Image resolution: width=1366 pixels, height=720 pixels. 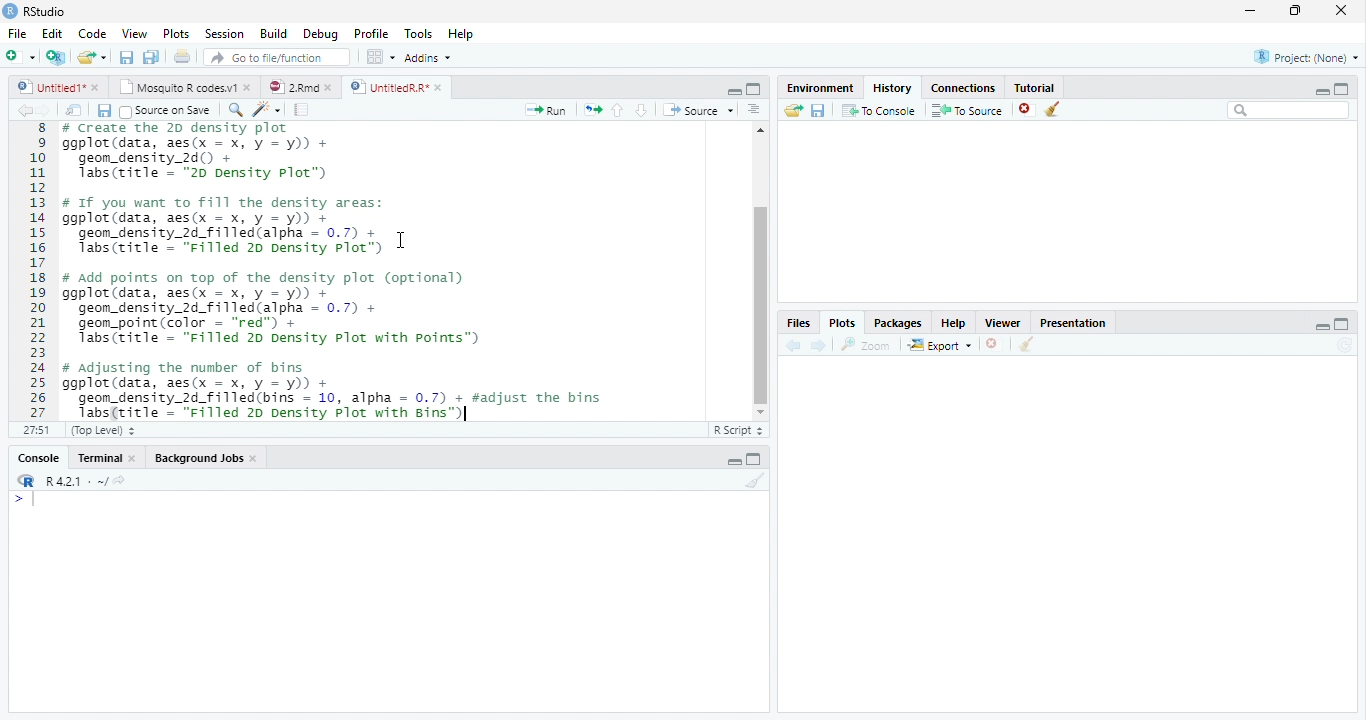 I want to click on close, so click(x=1342, y=10).